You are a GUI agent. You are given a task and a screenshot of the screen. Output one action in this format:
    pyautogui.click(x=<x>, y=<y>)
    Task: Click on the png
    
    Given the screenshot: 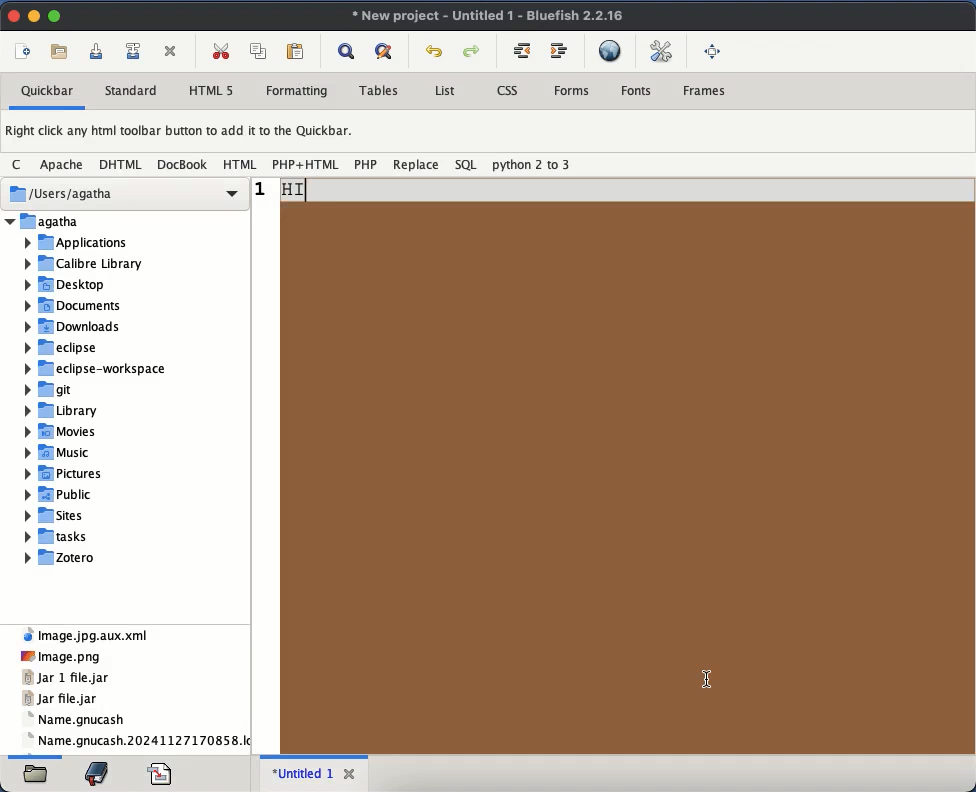 What is the action you would take?
    pyautogui.click(x=59, y=655)
    